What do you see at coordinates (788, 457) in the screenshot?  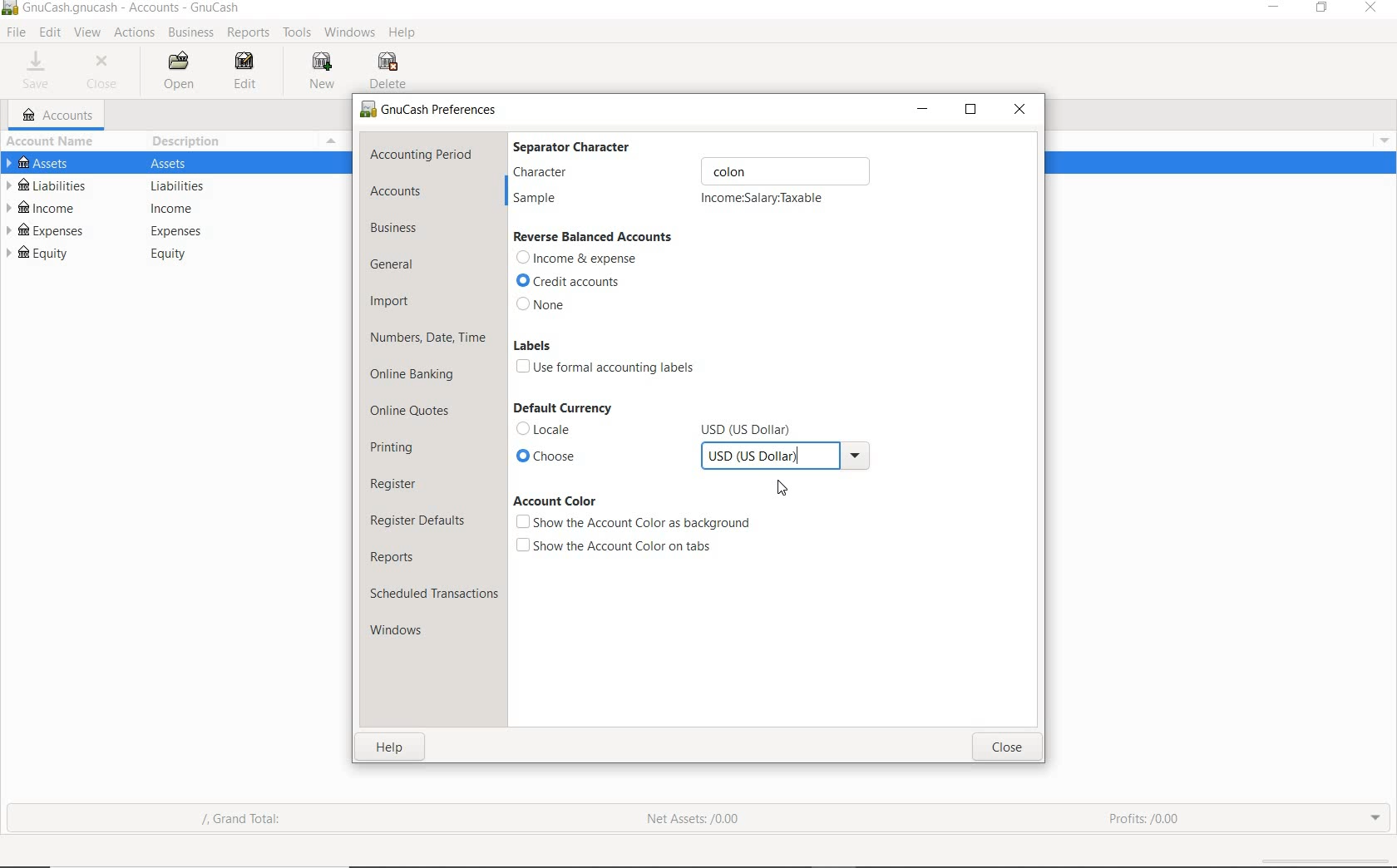 I see `USD (US DOLLAR) SELECTED` at bounding box center [788, 457].